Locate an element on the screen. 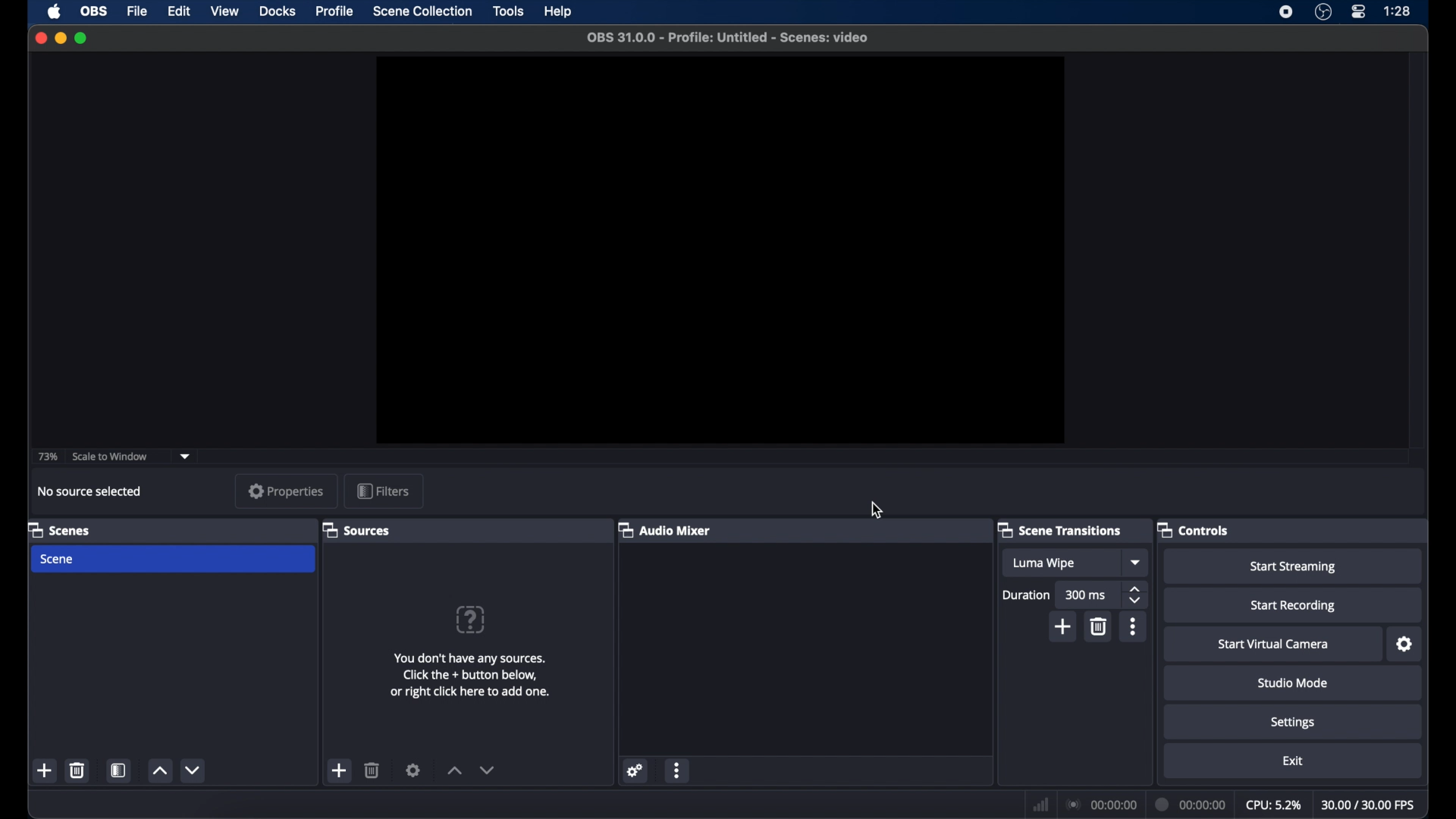 The image size is (1456, 819). fps is located at coordinates (1369, 805).